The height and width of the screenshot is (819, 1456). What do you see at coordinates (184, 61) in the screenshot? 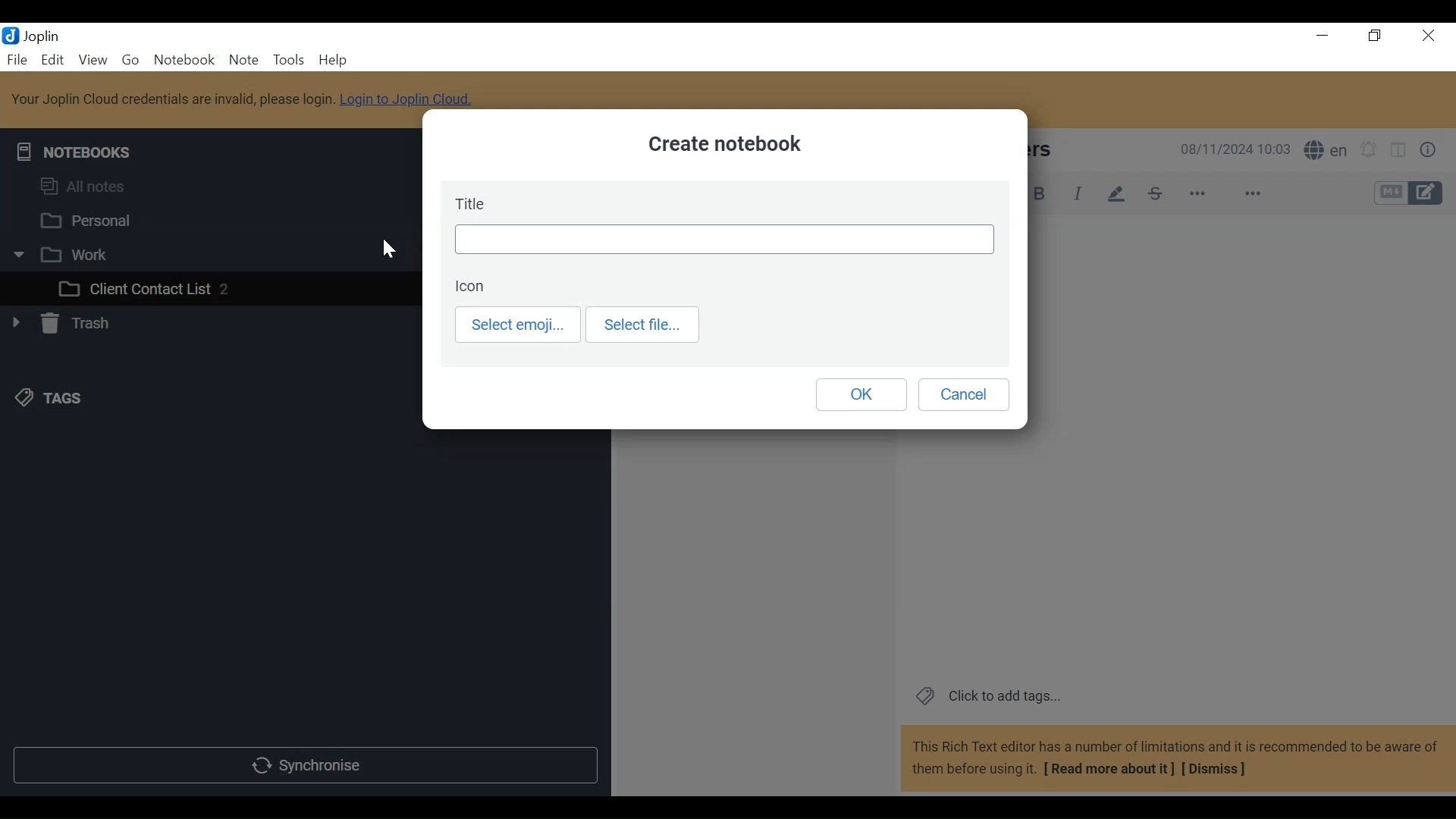
I see `Notebook` at bounding box center [184, 61].